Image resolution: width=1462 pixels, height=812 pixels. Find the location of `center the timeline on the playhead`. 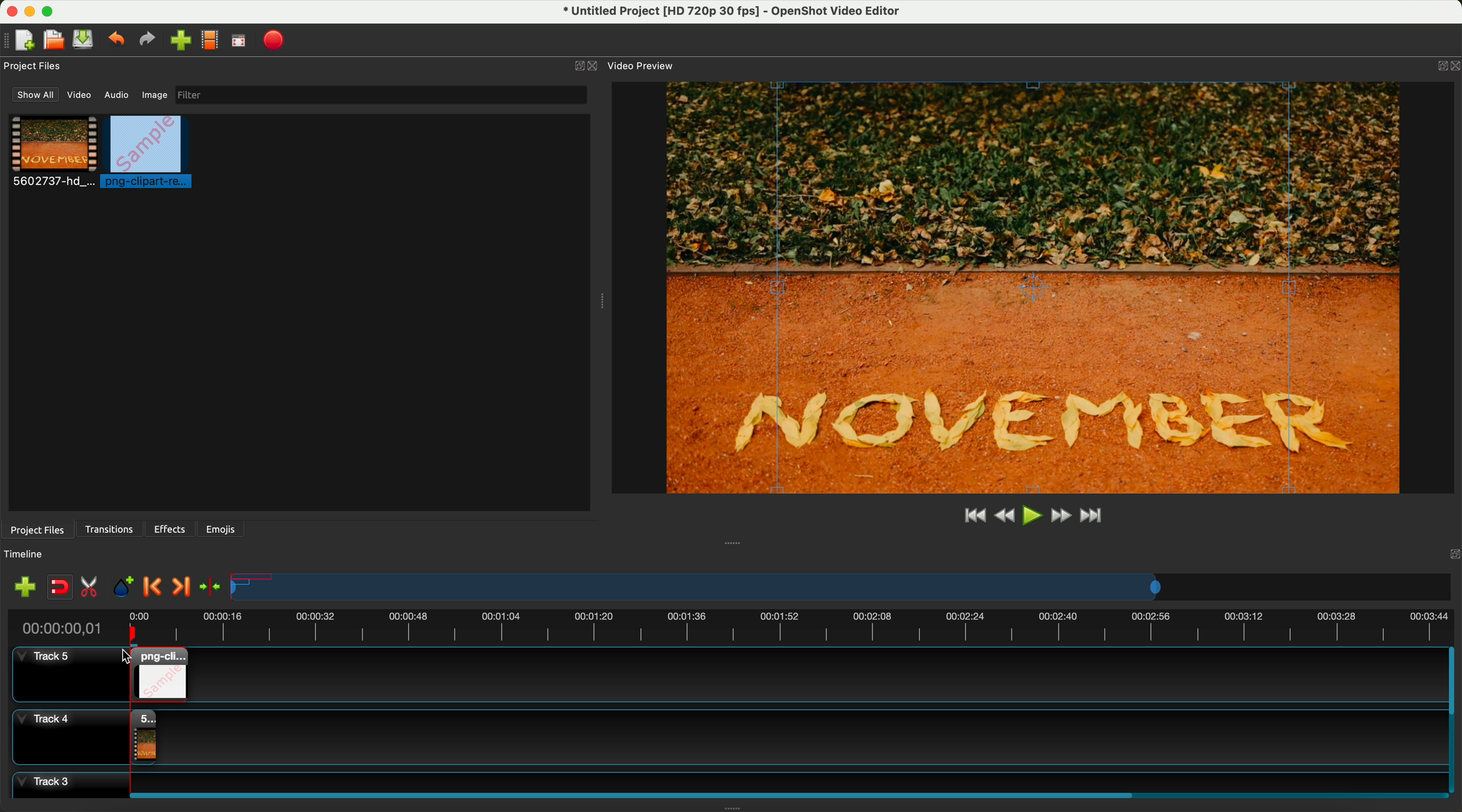

center the timeline on the playhead is located at coordinates (209, 586).